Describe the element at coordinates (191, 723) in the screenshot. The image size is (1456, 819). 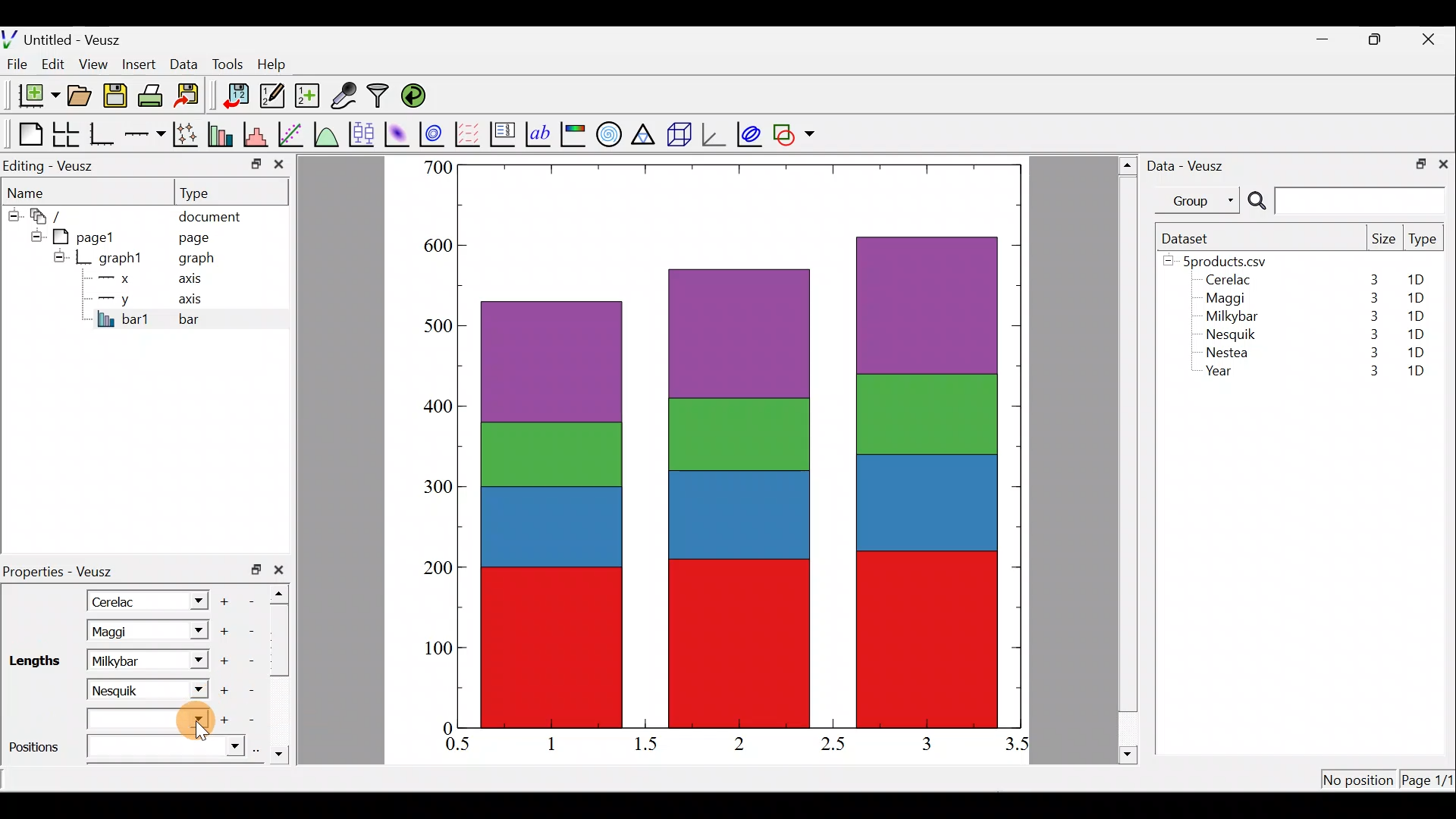
I see `Cursor` at that location.